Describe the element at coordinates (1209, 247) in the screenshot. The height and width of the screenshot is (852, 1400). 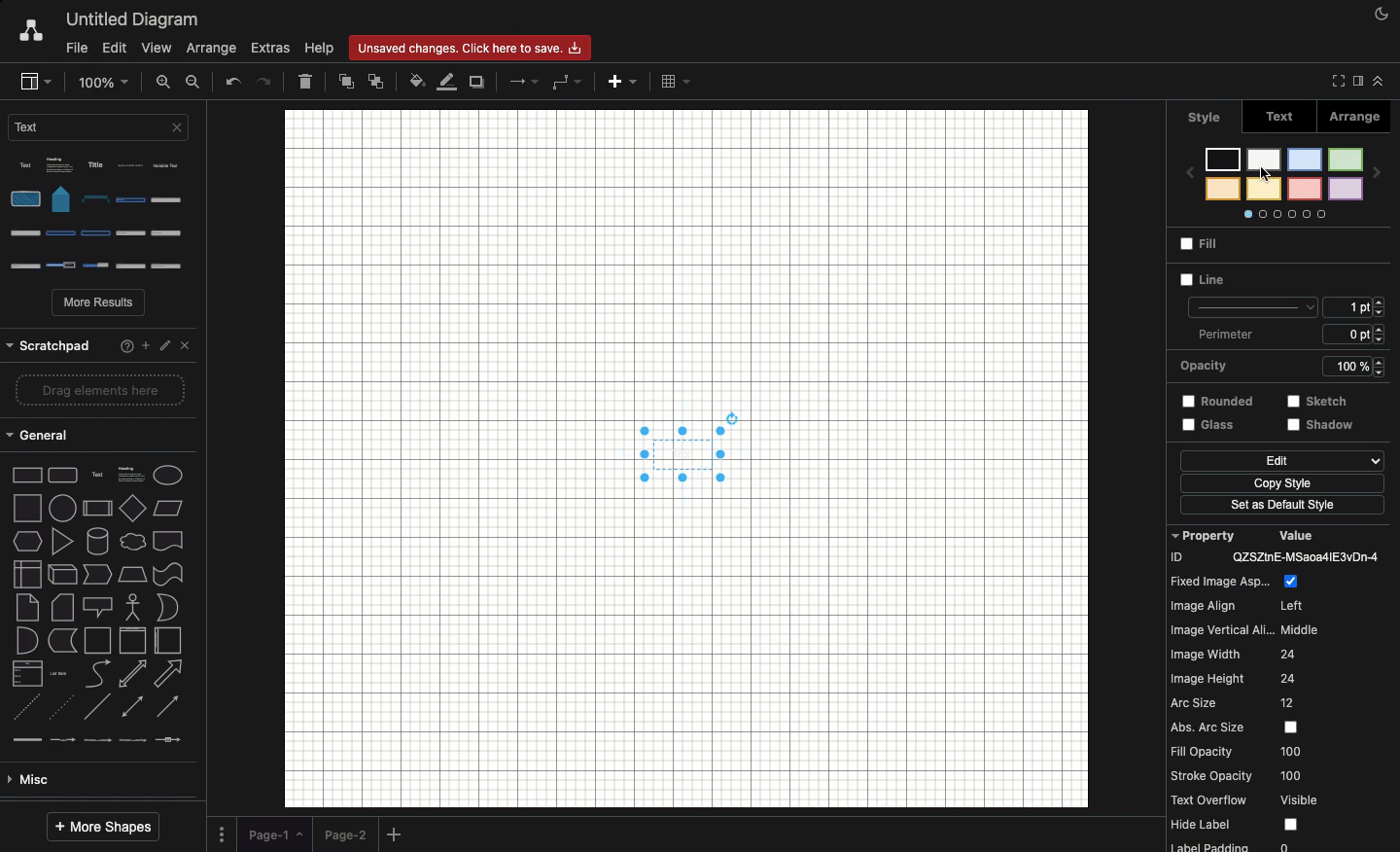
I see `Fill` at that location.